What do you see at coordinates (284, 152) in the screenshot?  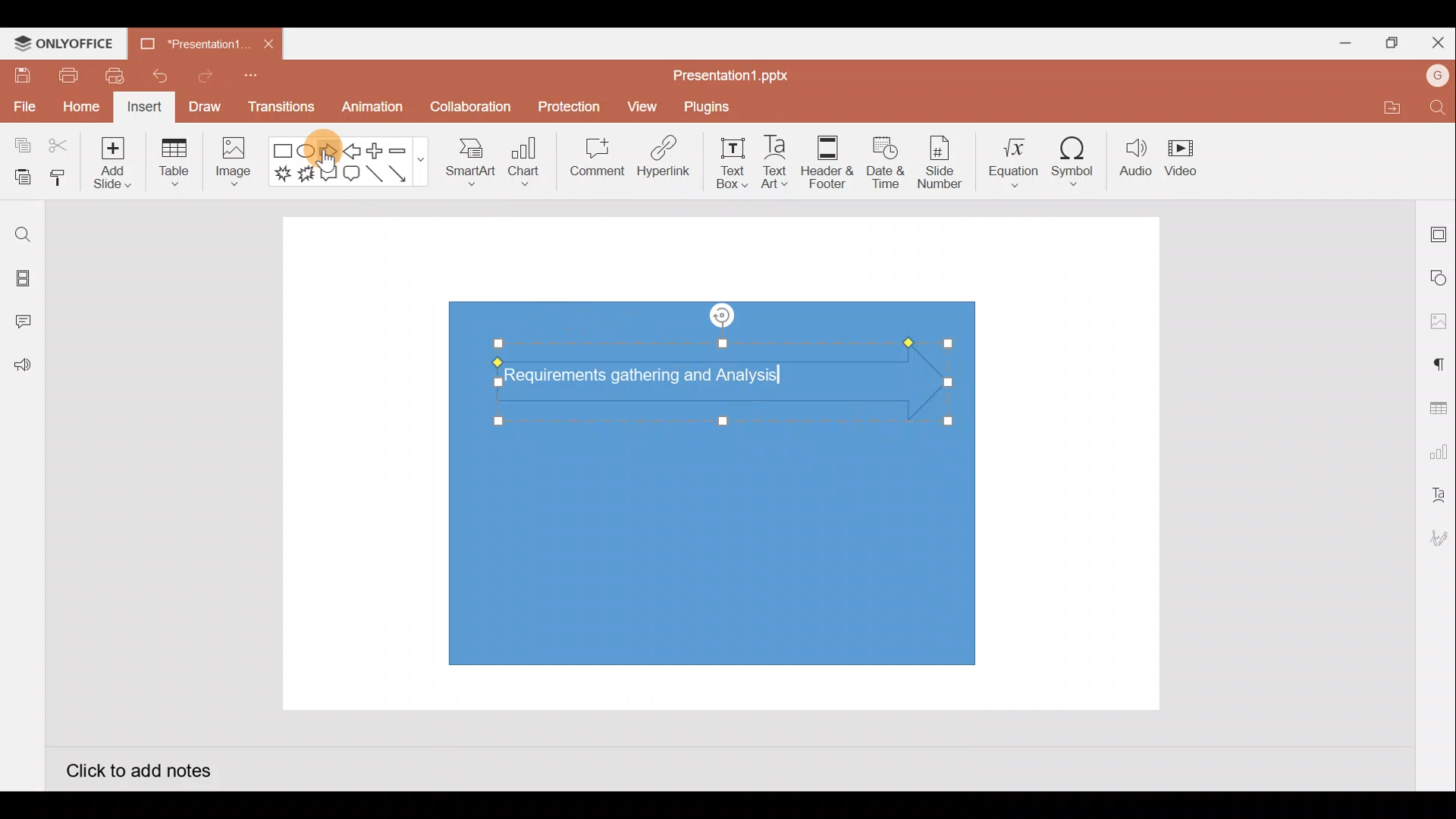 I see `Rectangle` at bounding box center [284, 152].